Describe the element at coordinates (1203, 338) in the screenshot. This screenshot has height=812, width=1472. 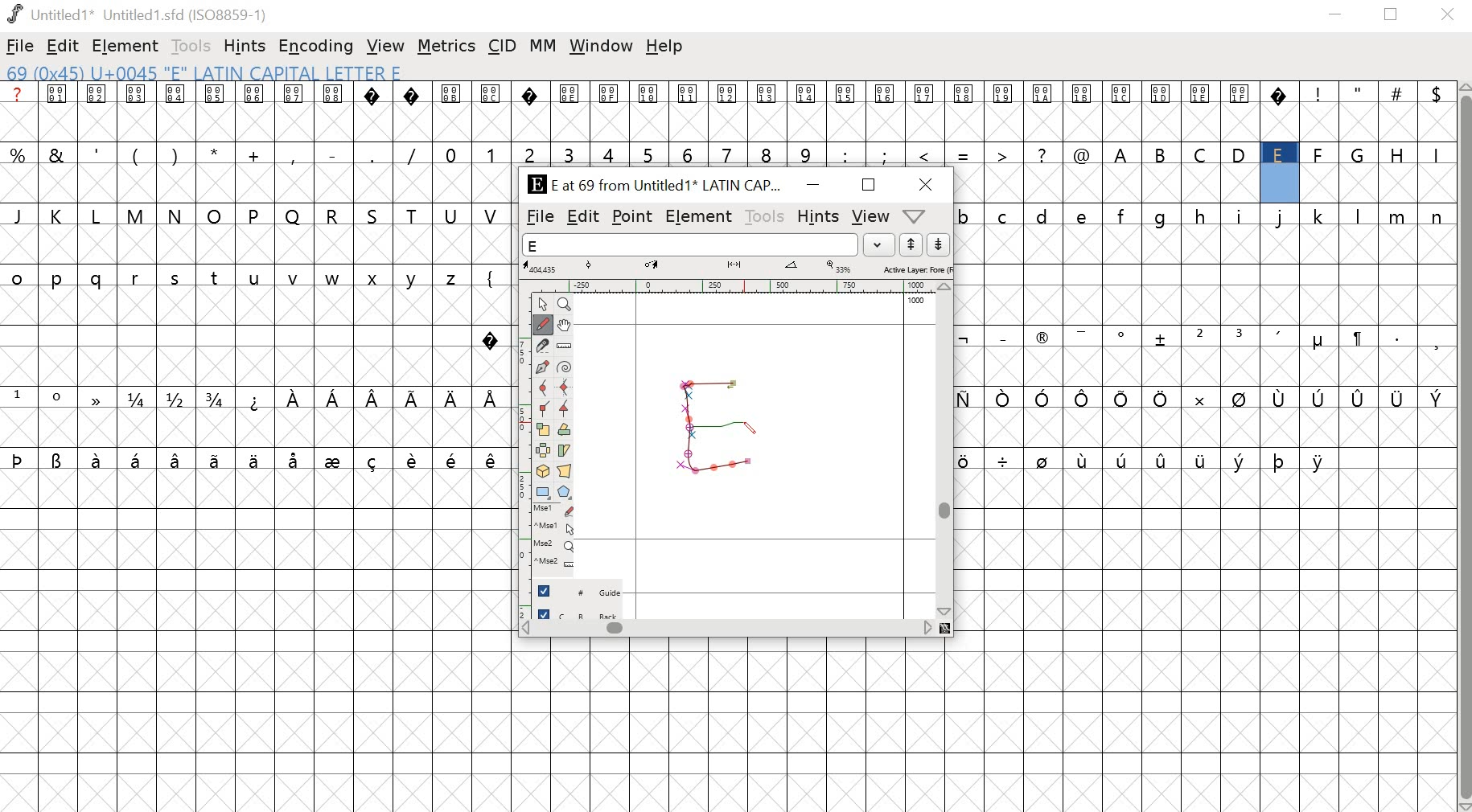
I see `special characters and symbols` at that location.